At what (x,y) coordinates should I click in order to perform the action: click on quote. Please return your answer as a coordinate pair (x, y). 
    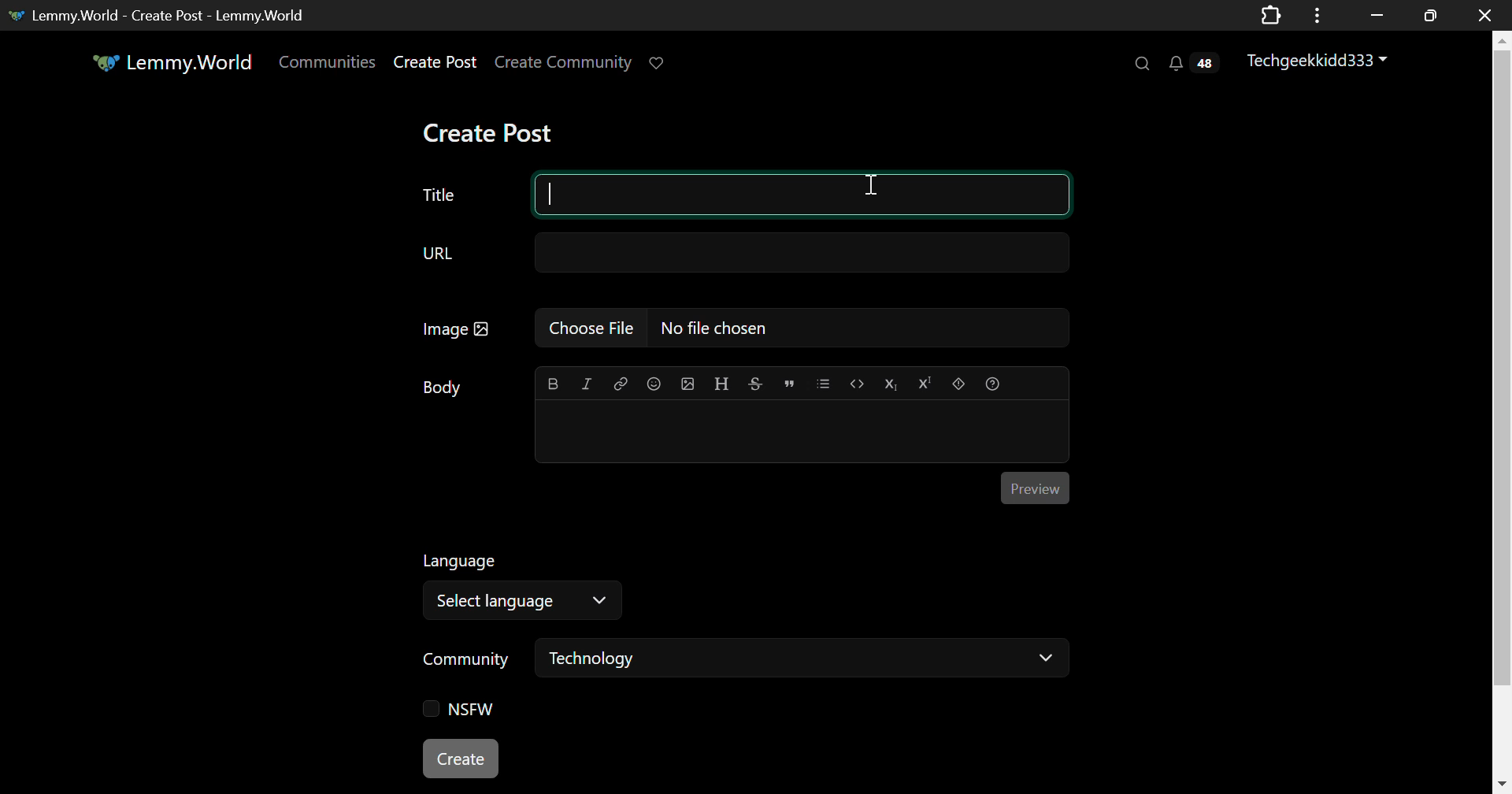
    Looking at the image, I should click on (789, 383).